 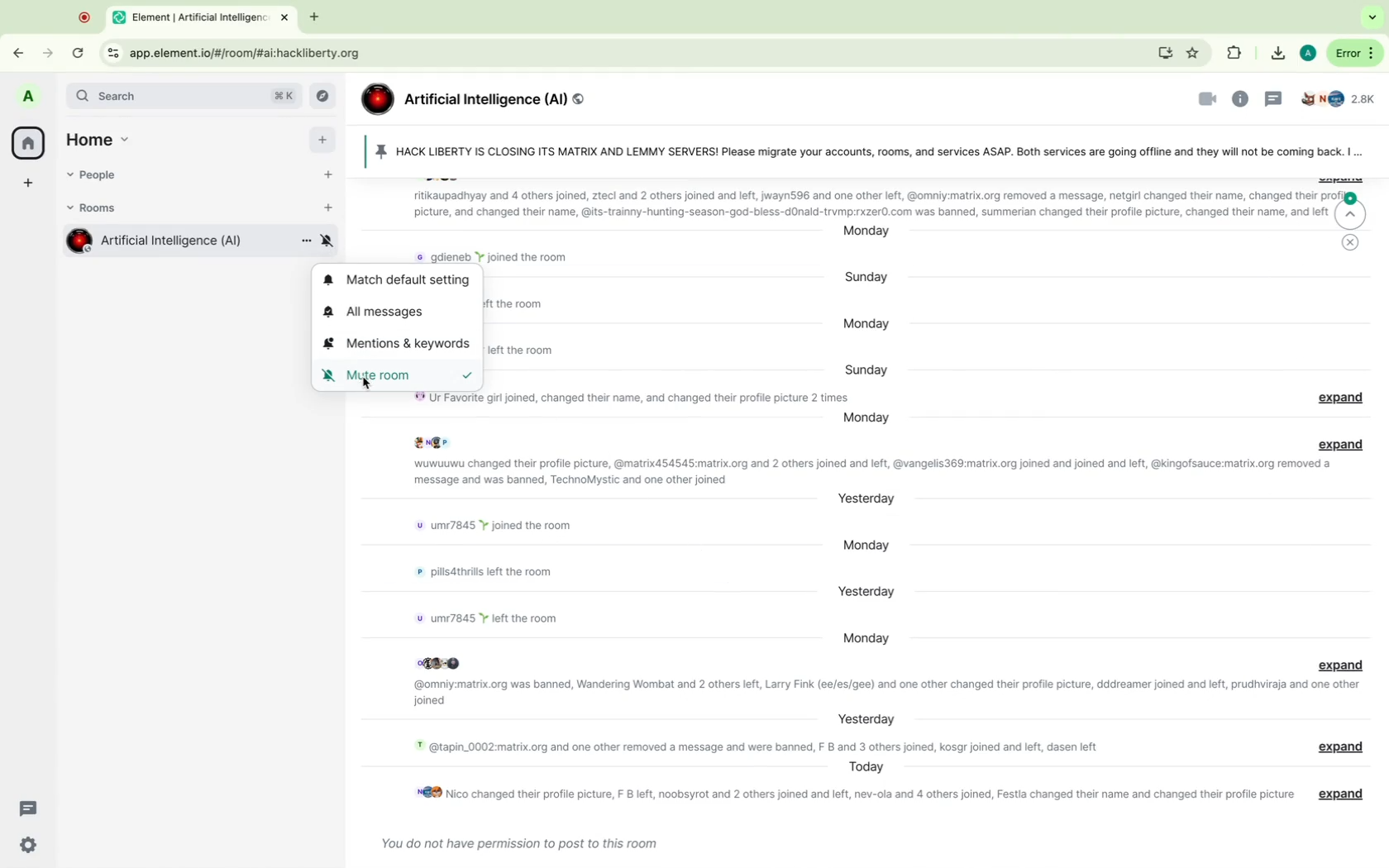 What do you see at coordinates (1352, 242) in the screenshot?
I see `close` at bounding box center [1352, 242].